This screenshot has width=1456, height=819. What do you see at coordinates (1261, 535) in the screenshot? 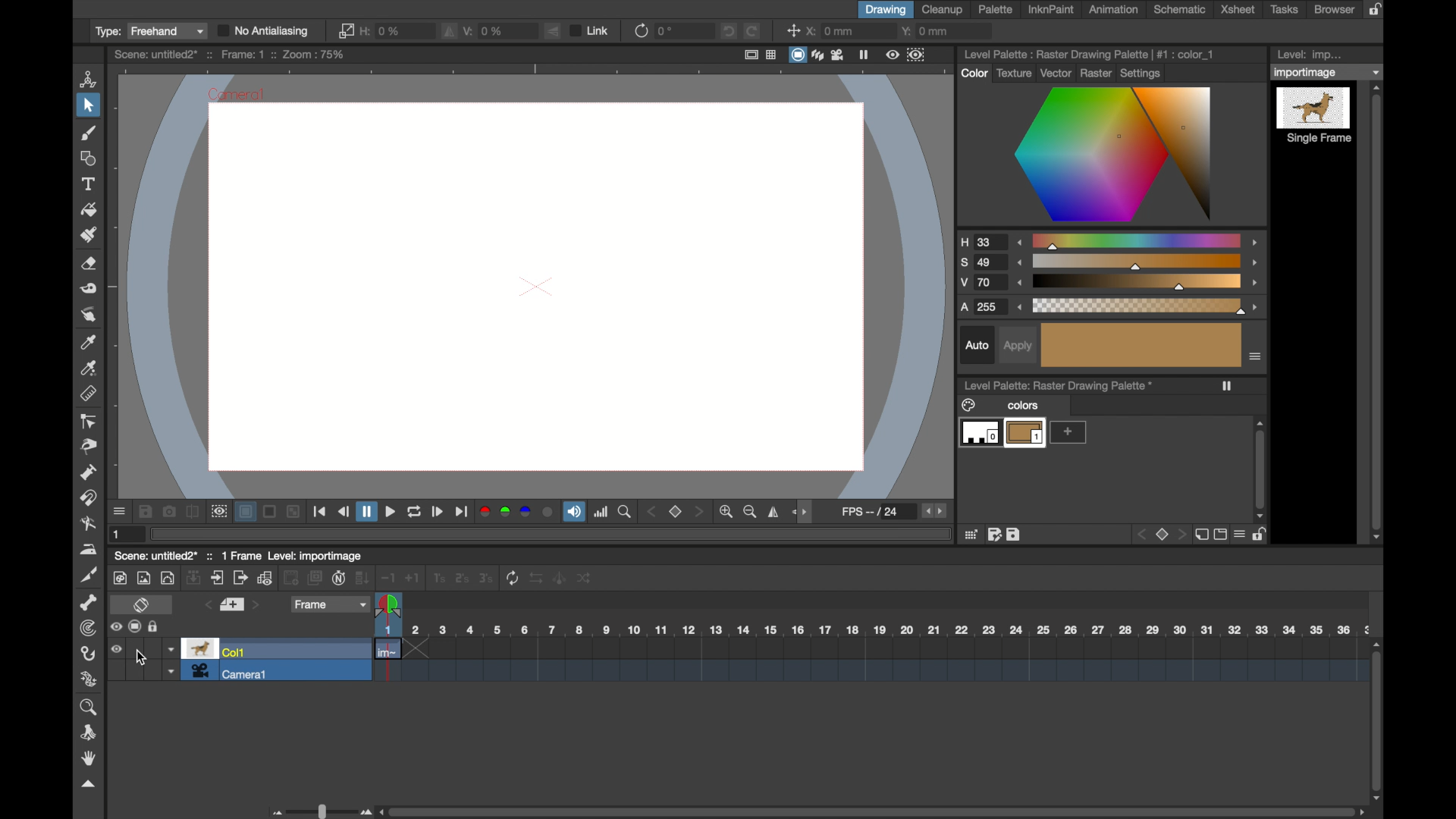
I see `unlock` at bounding box center [1261, 535].